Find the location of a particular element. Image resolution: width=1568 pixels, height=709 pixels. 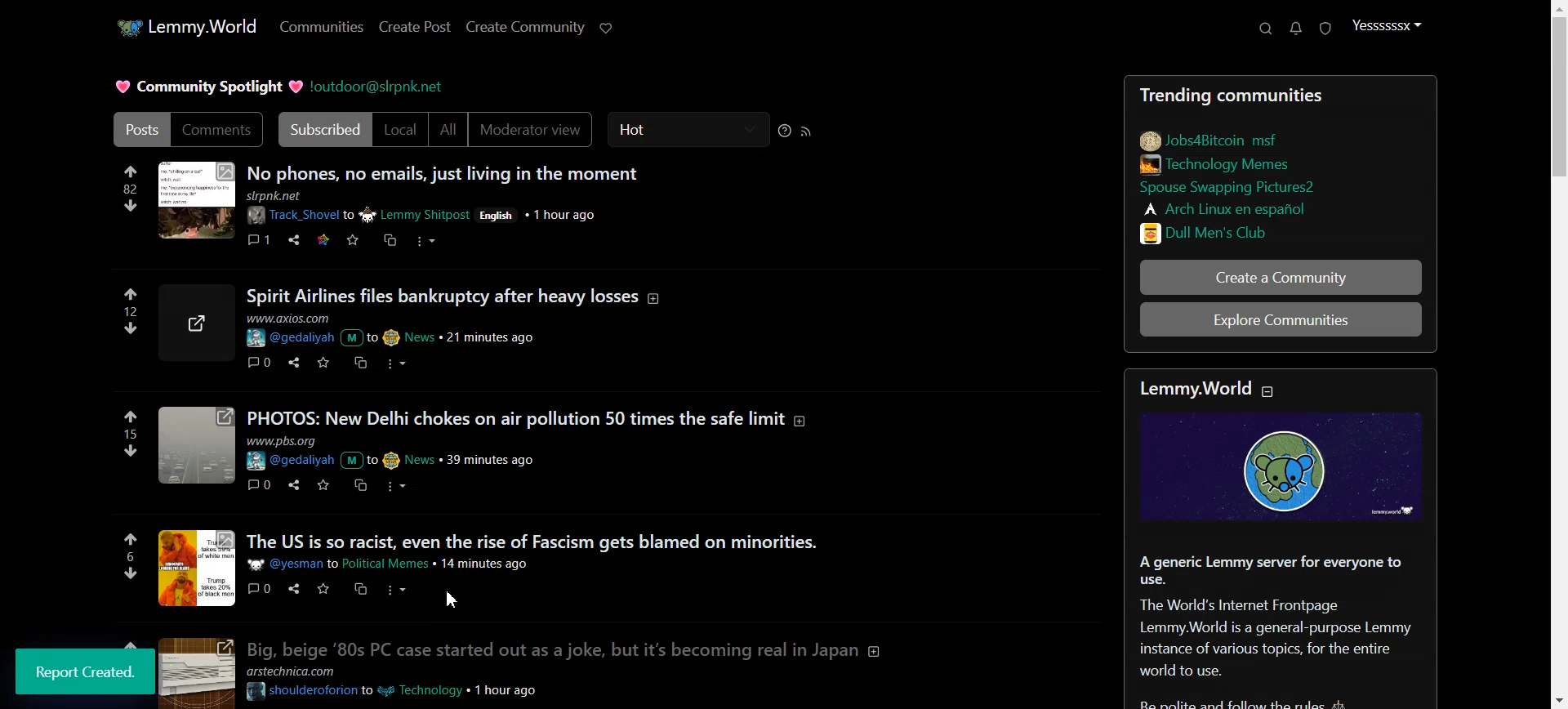

upvote is located at coordinates (131, 417).